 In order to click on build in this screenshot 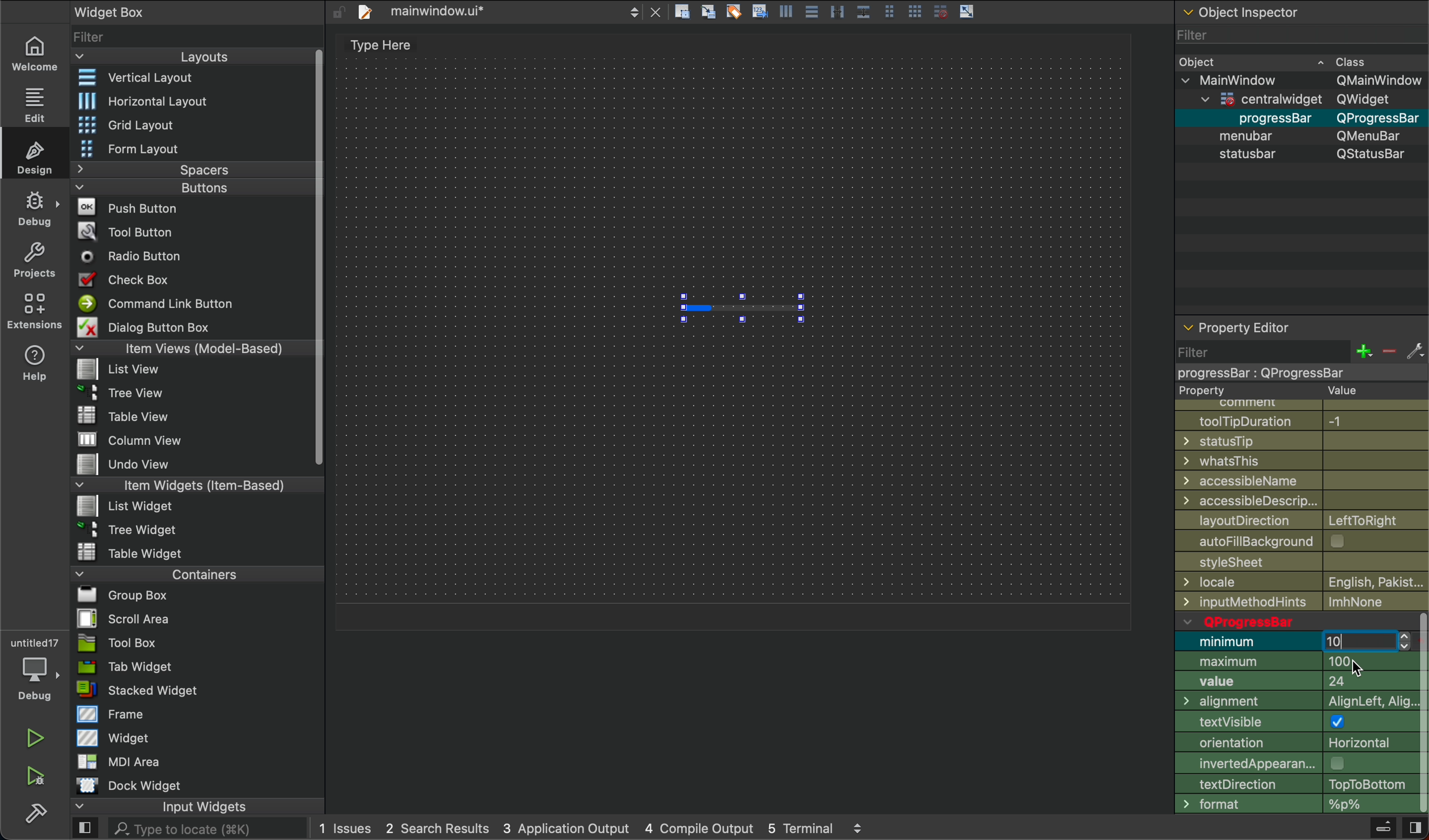, I will do `click(36, 811)`.